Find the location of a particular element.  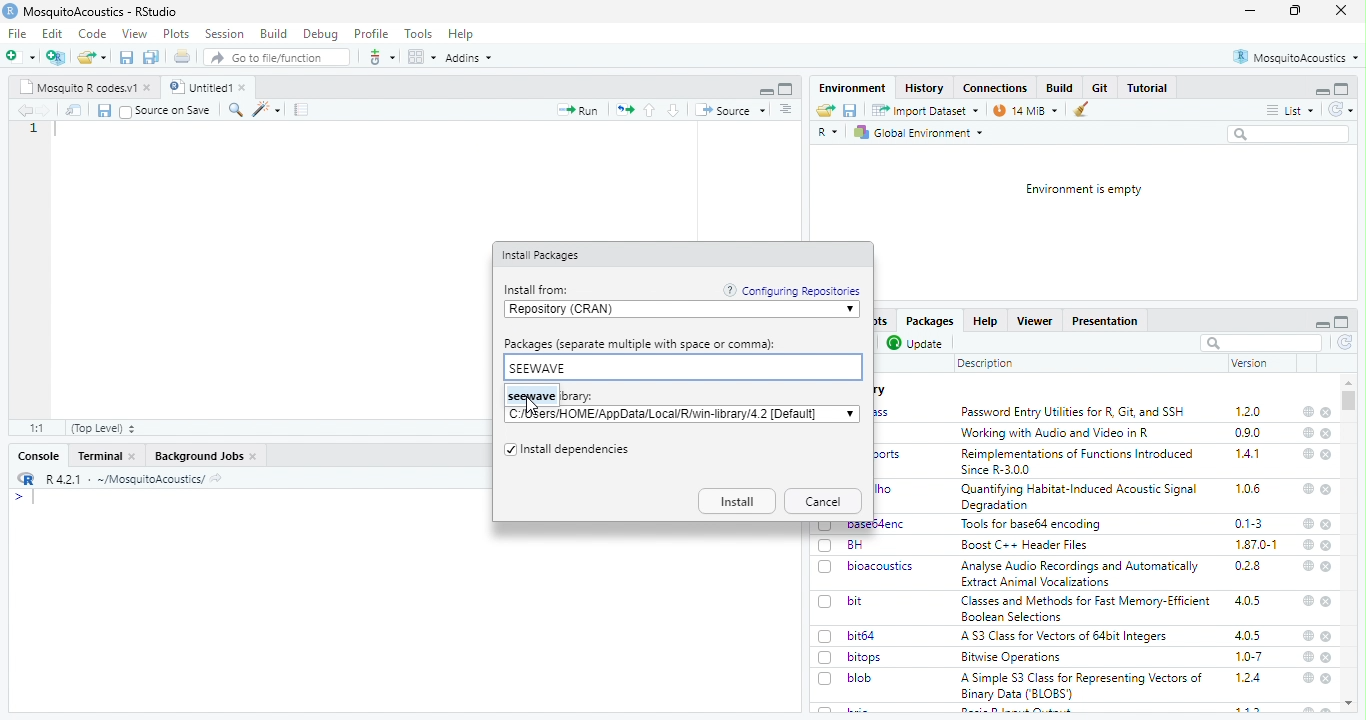

Build is located at coordinates (274, 34).